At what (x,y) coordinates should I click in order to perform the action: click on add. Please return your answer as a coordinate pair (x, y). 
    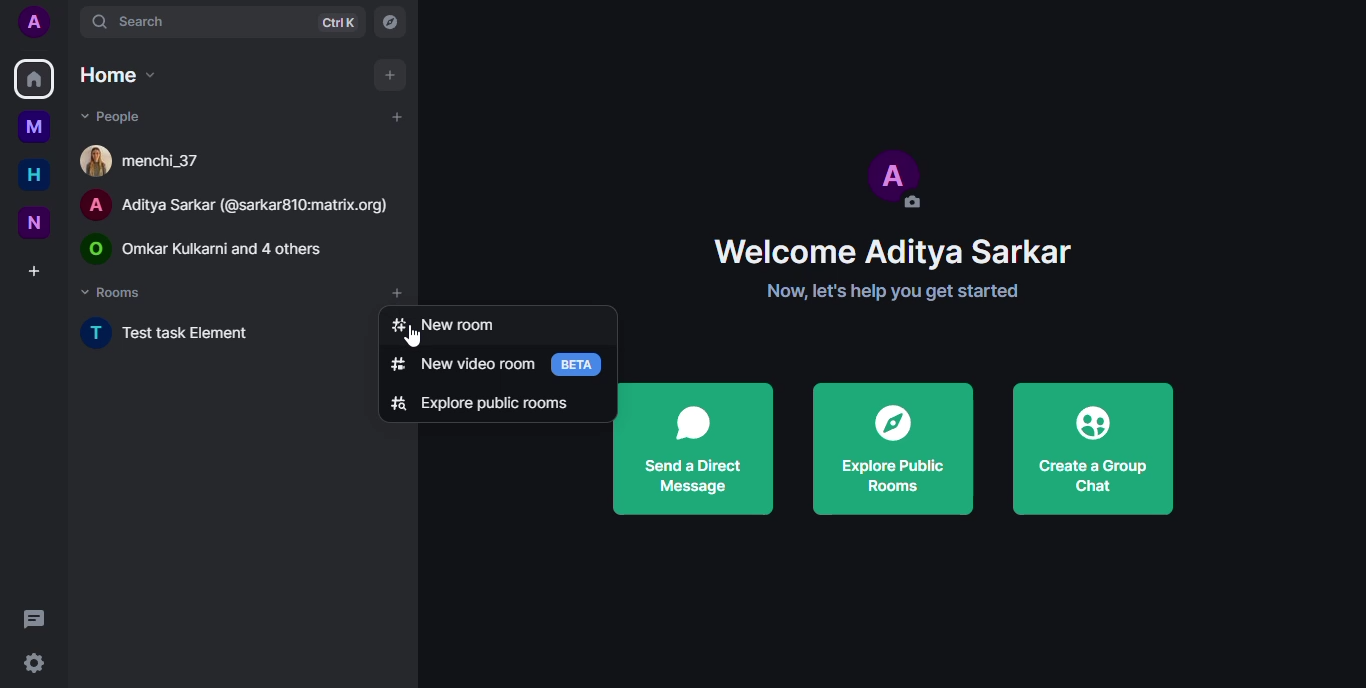
    Looking at the image, I should click on (397, 294).